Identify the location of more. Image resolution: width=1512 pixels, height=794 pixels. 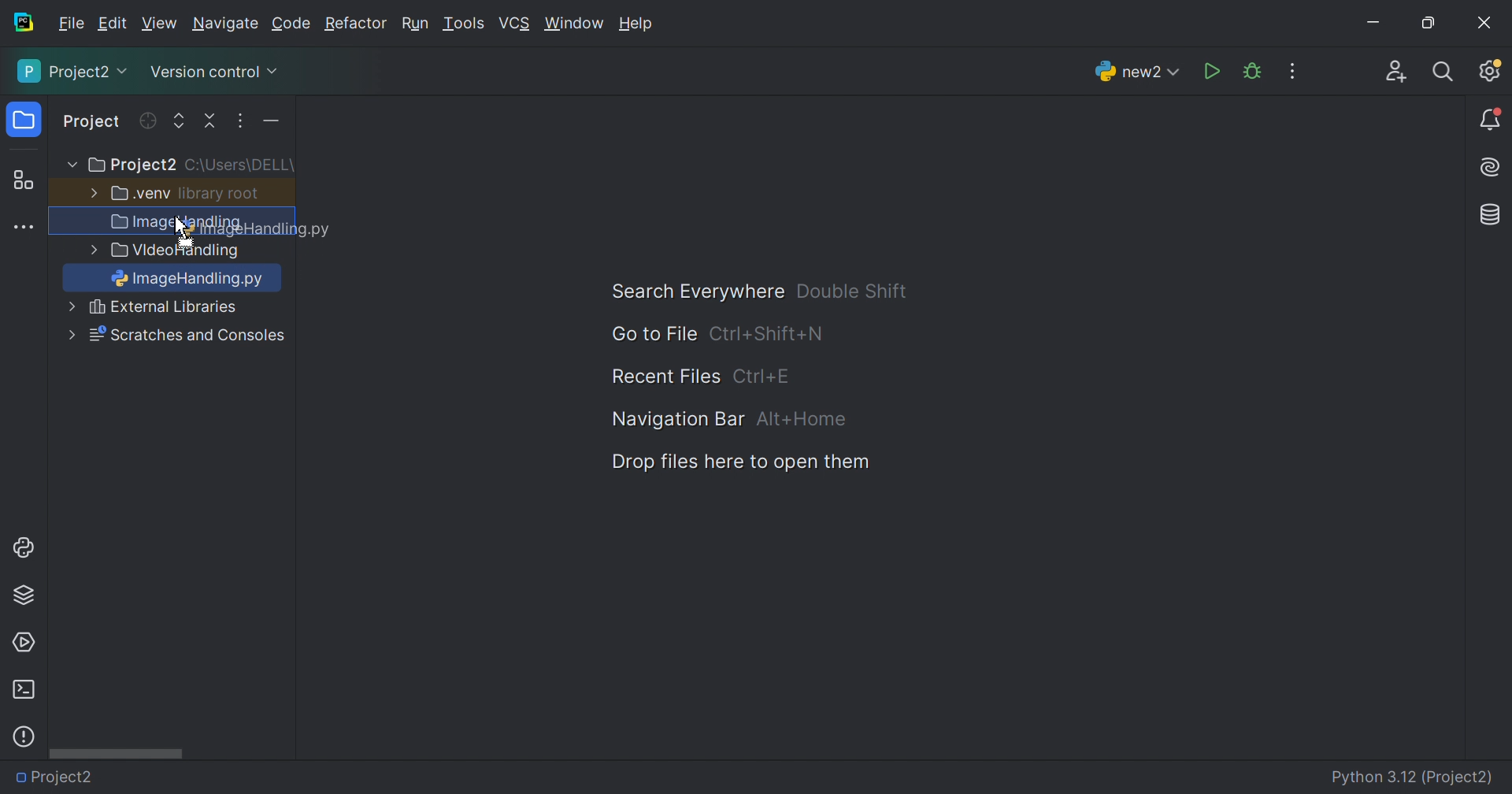
(69, 308).